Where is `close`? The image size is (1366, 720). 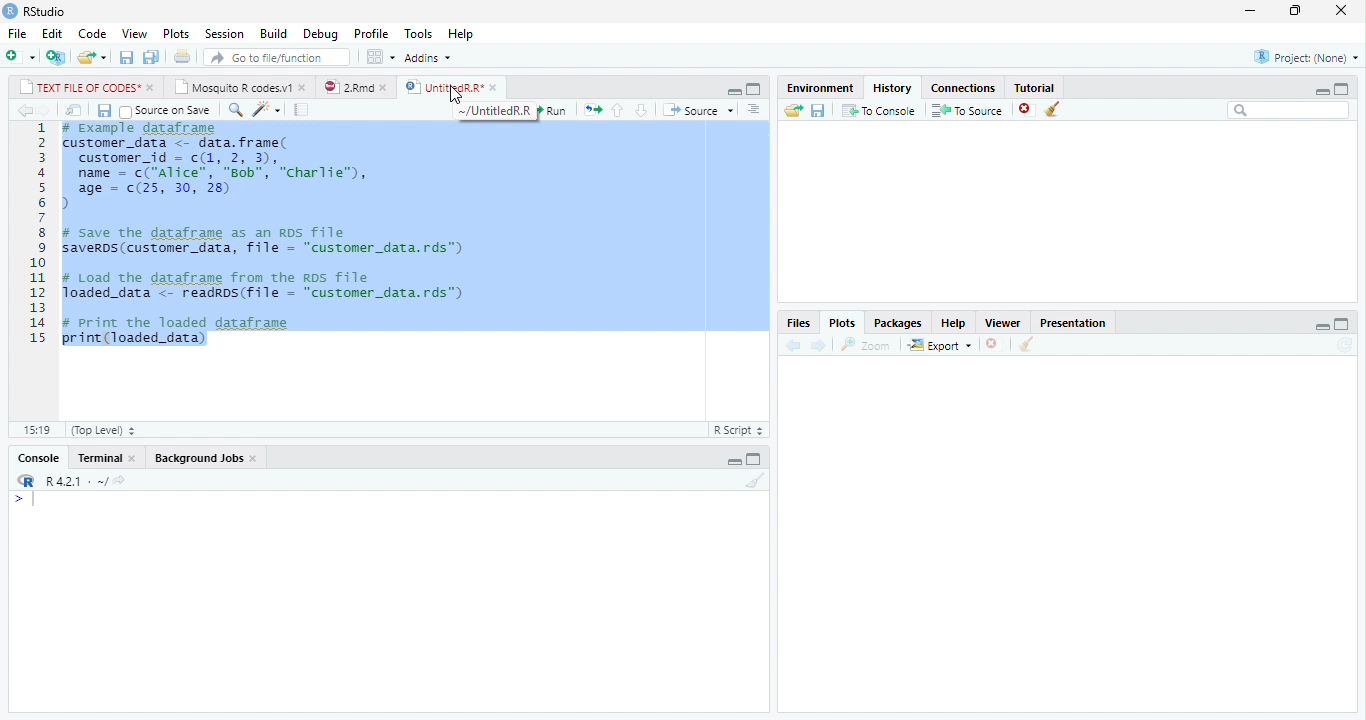 close is located at coordinates (256, 459).